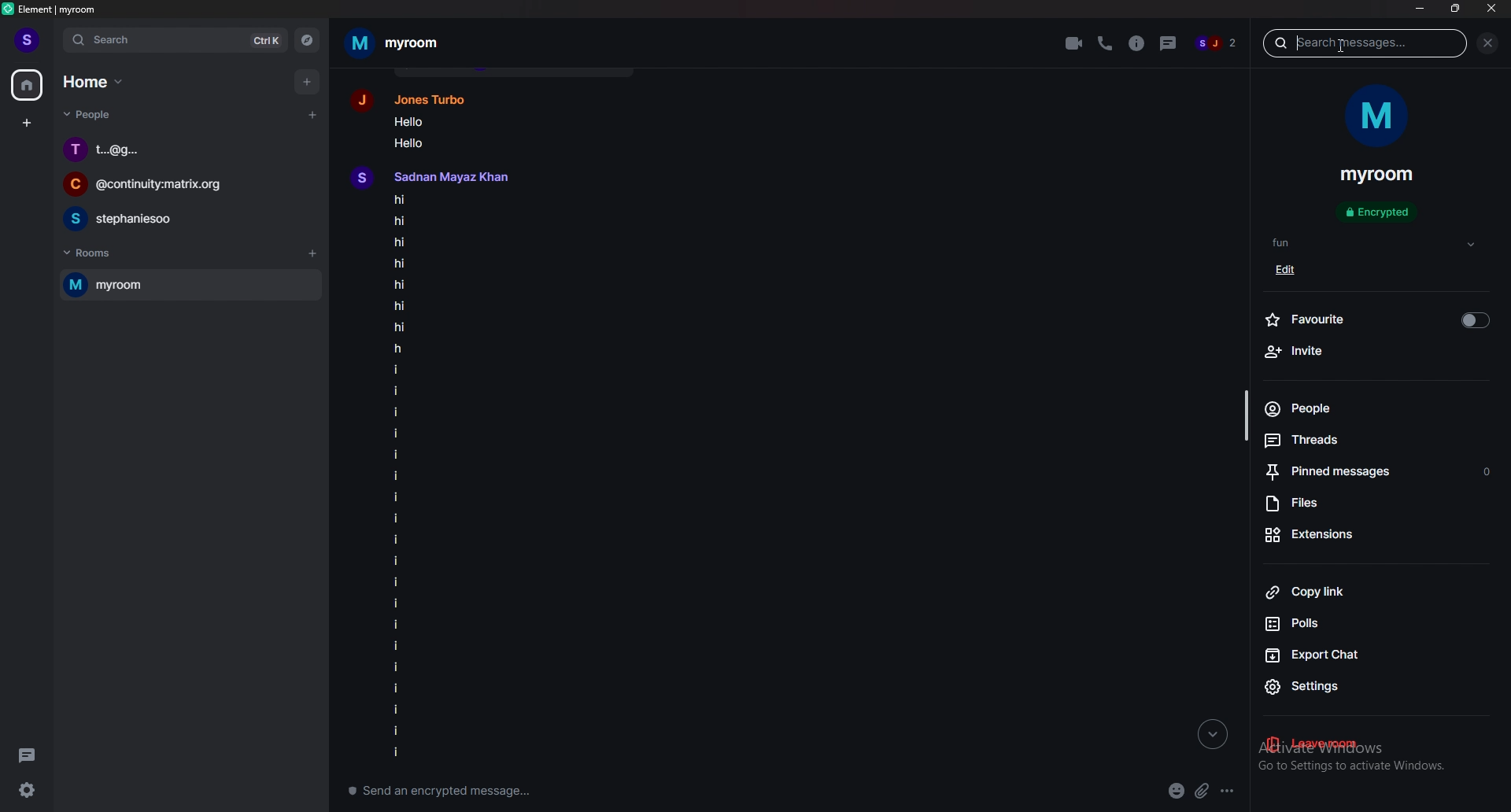  I want to click on add rooms, so click(312, 256).